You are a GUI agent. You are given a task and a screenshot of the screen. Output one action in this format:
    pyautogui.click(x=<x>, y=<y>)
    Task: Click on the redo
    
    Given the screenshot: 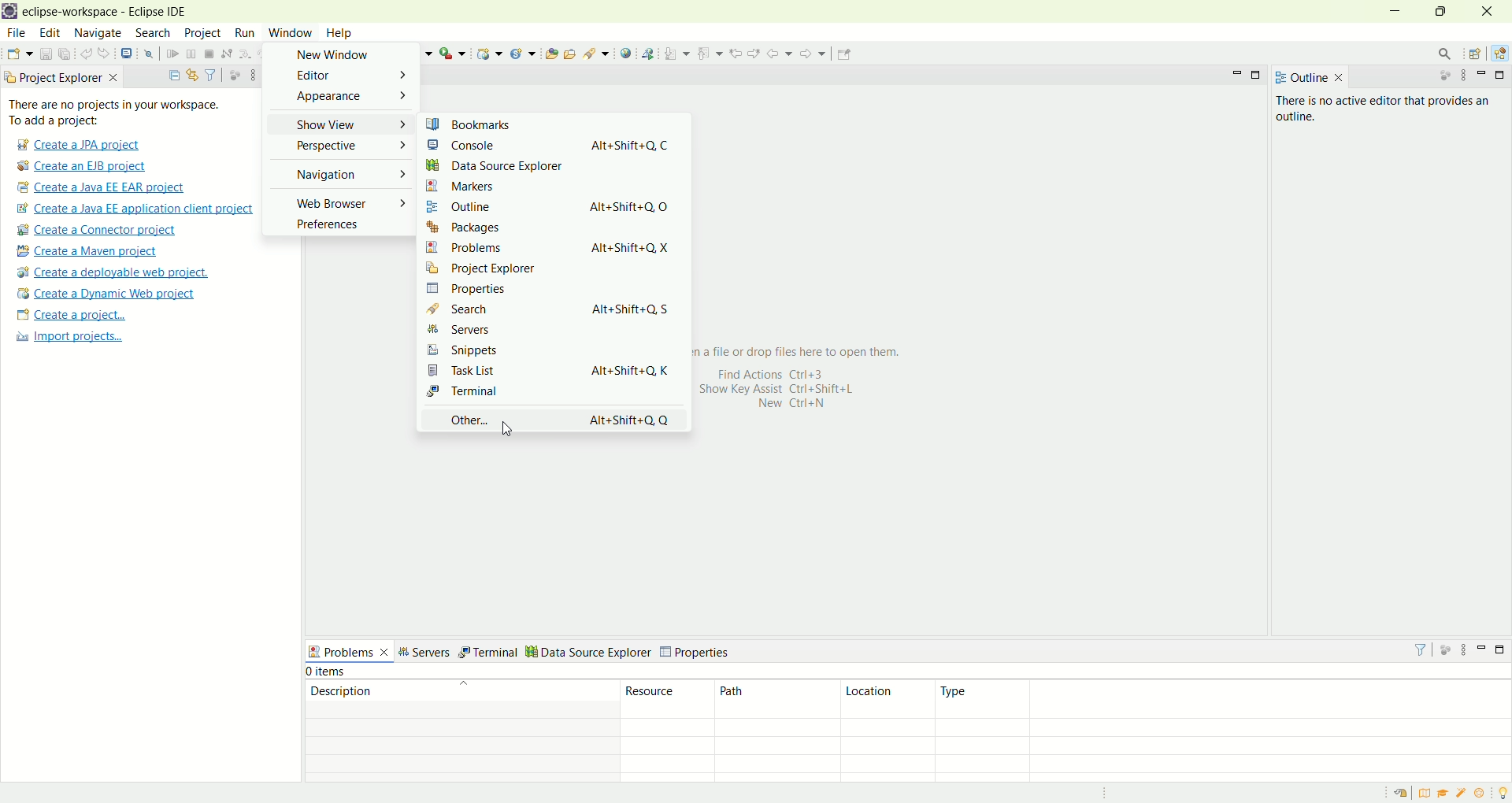 What is the action you would take?
    pyautogui.click(x=104, y=53)
    